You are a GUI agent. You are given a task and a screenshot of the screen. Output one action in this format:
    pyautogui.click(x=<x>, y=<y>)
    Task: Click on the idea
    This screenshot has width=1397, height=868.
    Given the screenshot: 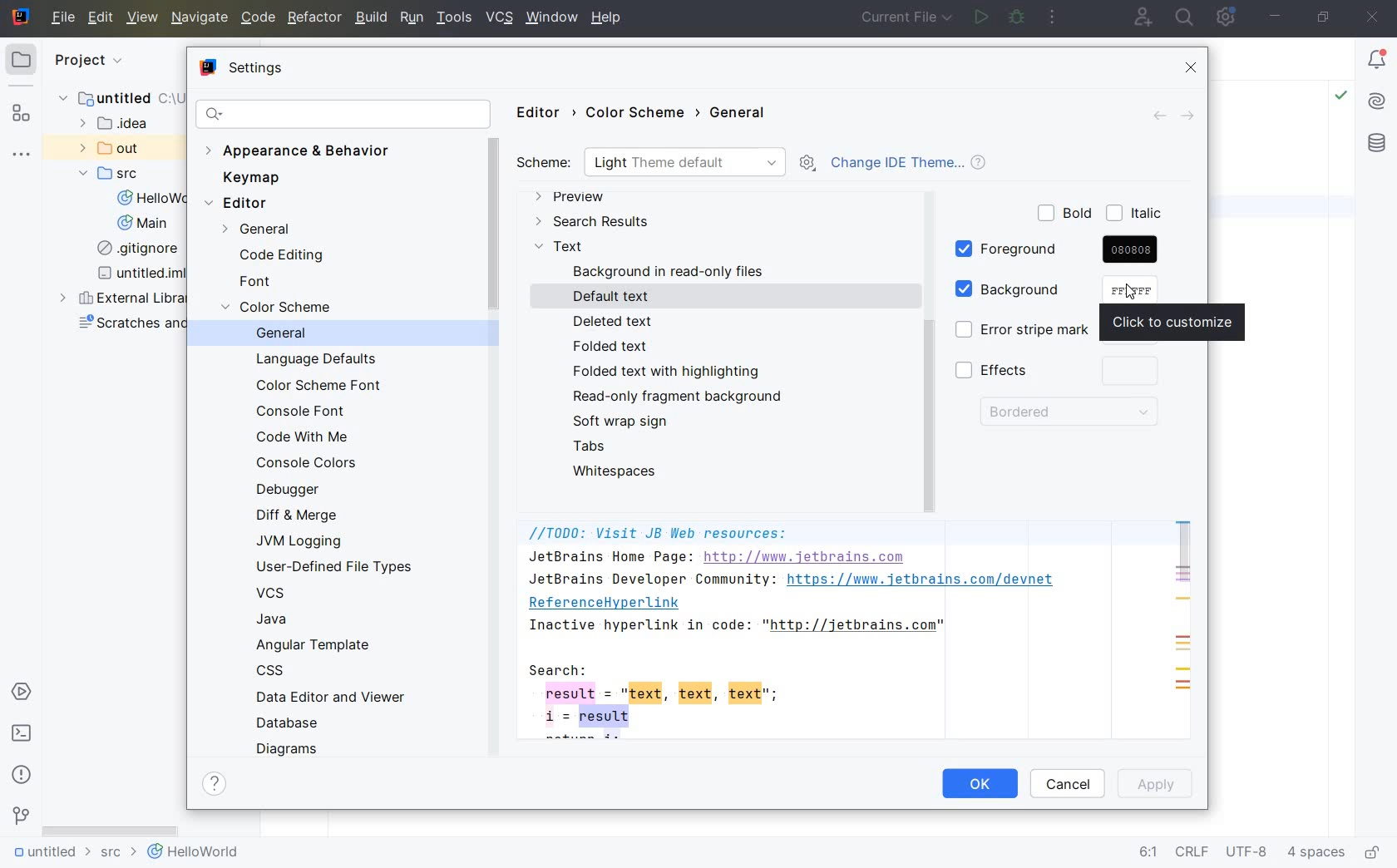 What is the action you would take?
    pyautogui.click(x=126, y=125)
    